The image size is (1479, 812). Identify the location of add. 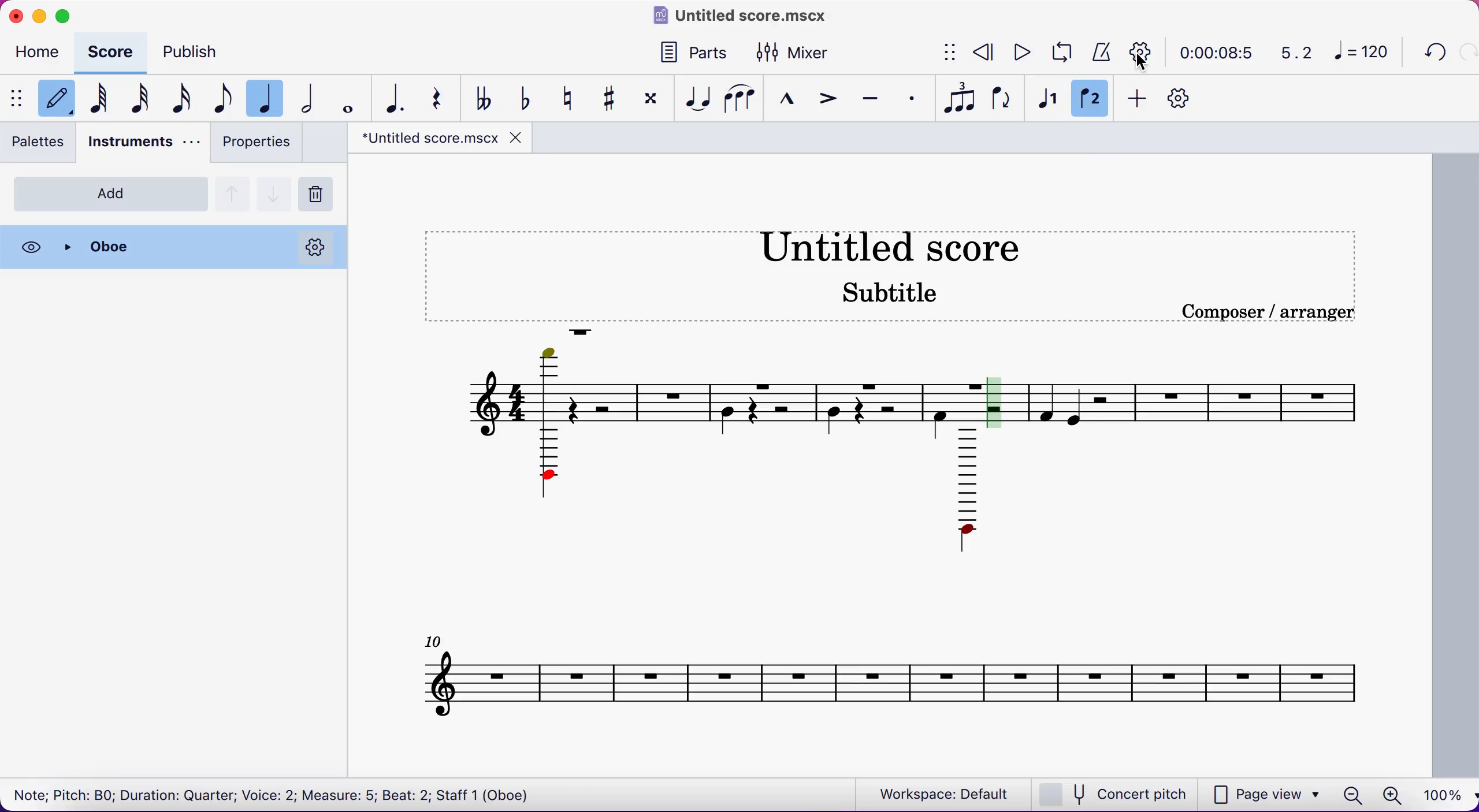
(111, 193).